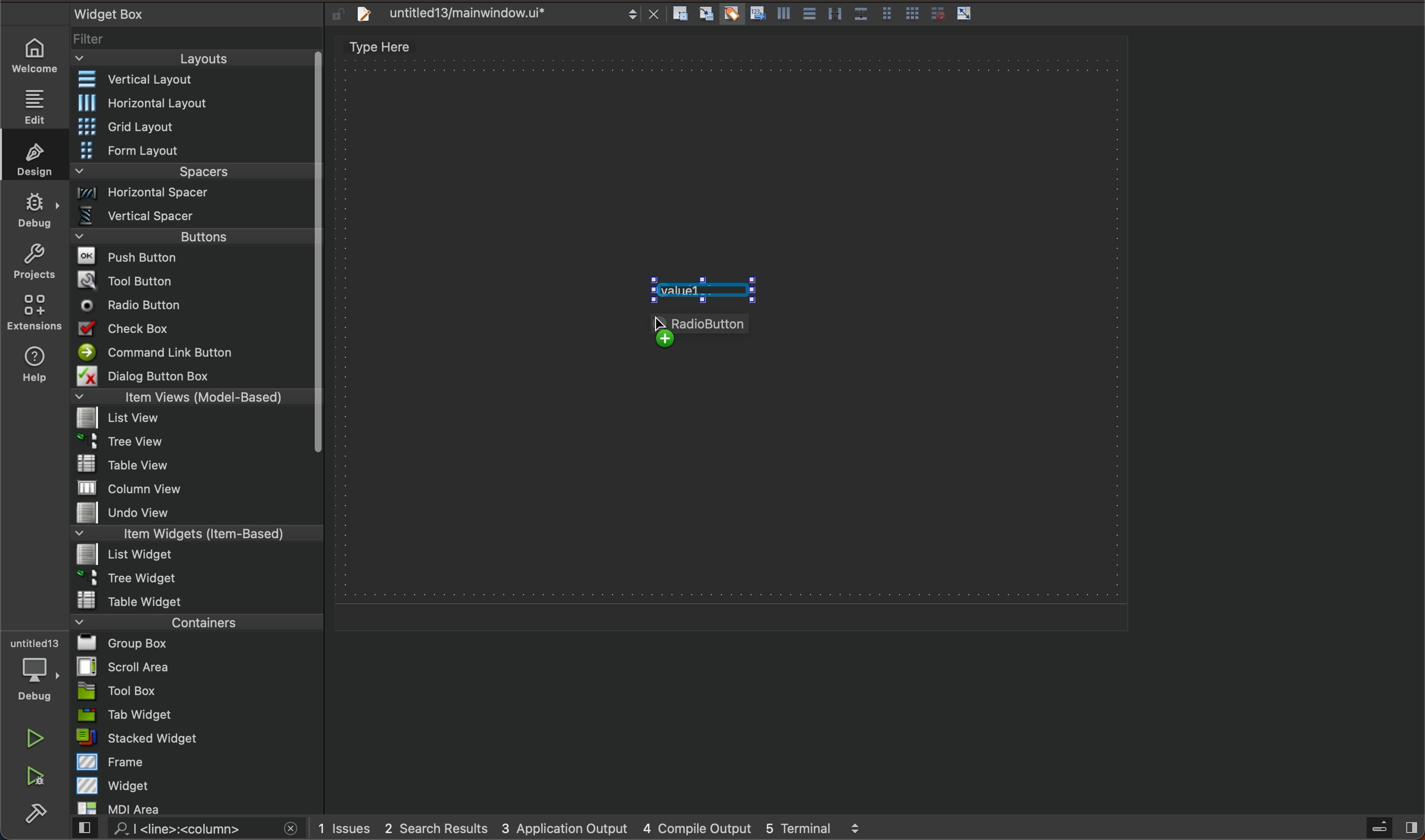 The image size is (1425, 840). I want to click on , so click(194, 152).